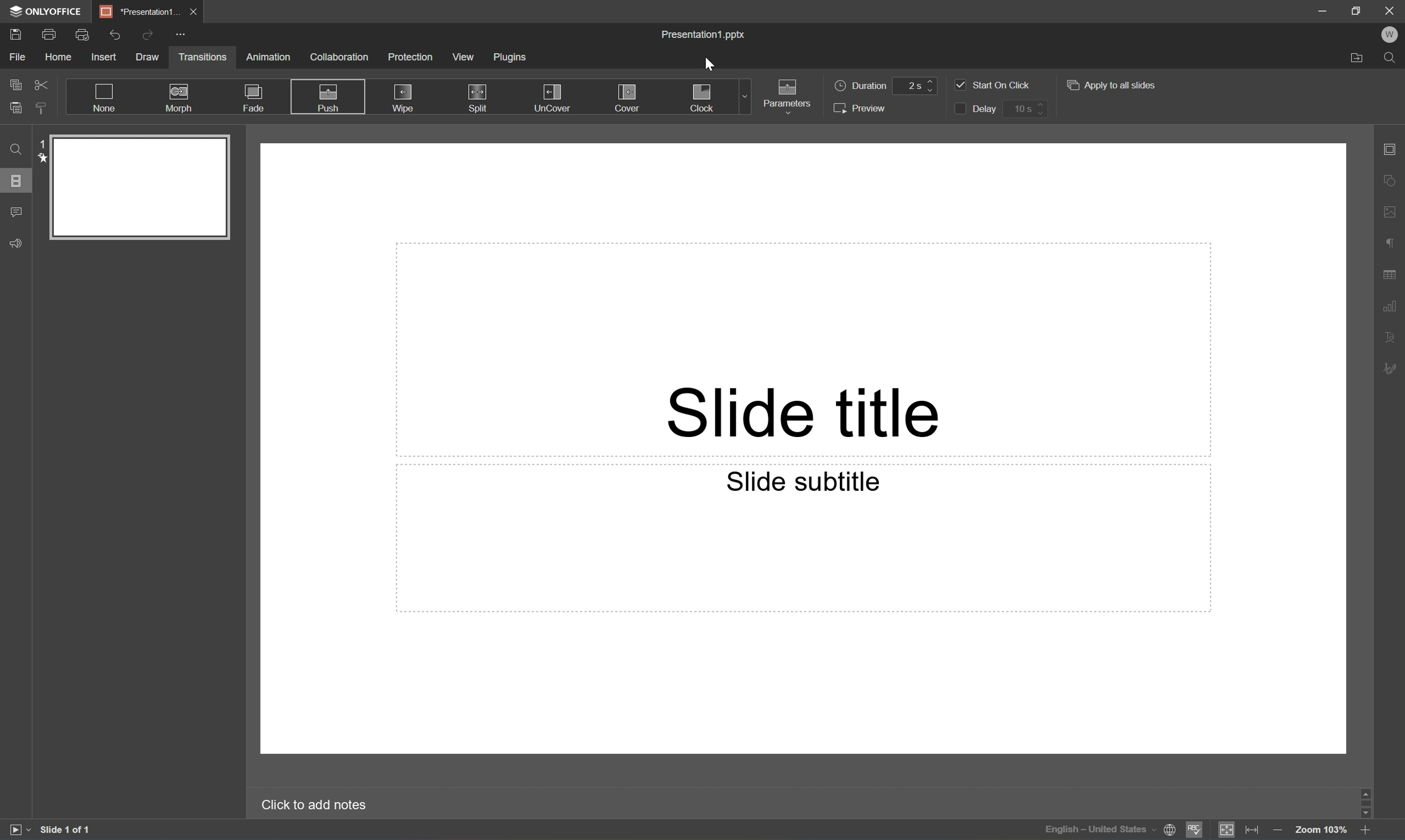 This screenshot has width=1405, height=840. I want to click on Clock, so click(703, 97).